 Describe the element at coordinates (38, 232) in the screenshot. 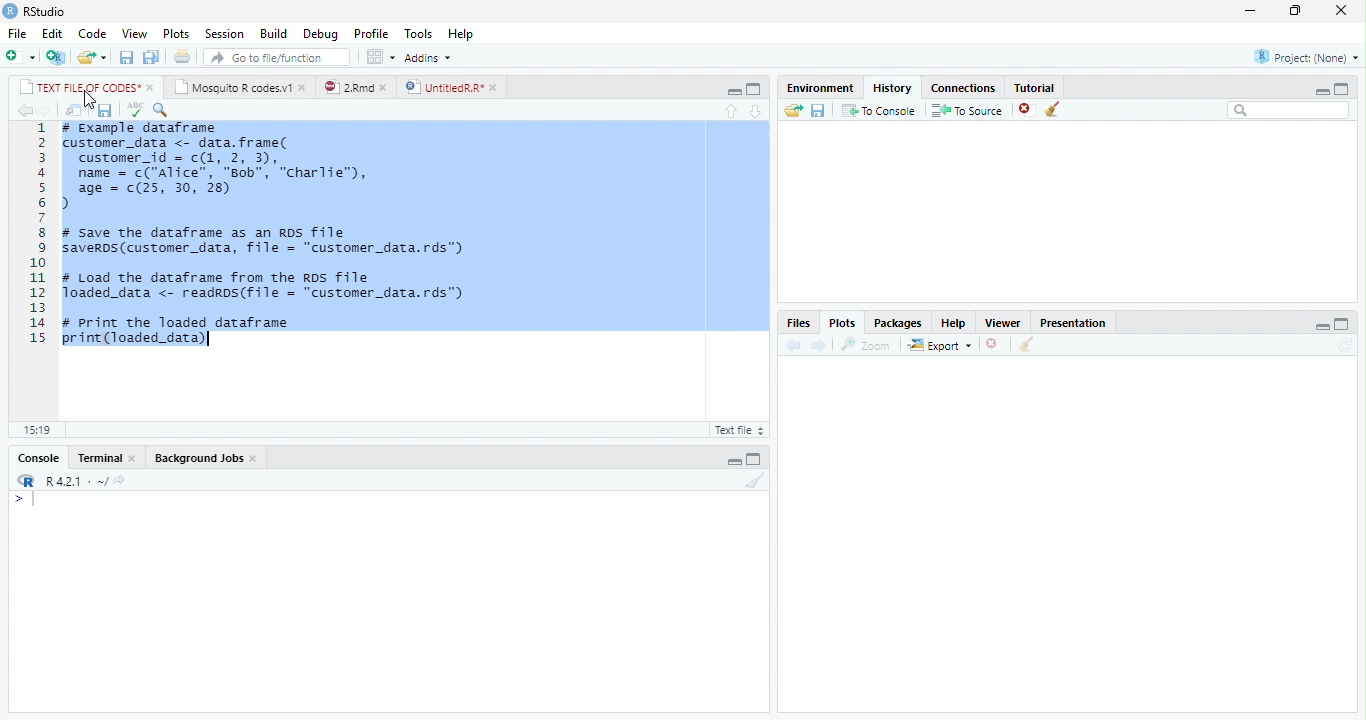

I see `line numbering` at that location.